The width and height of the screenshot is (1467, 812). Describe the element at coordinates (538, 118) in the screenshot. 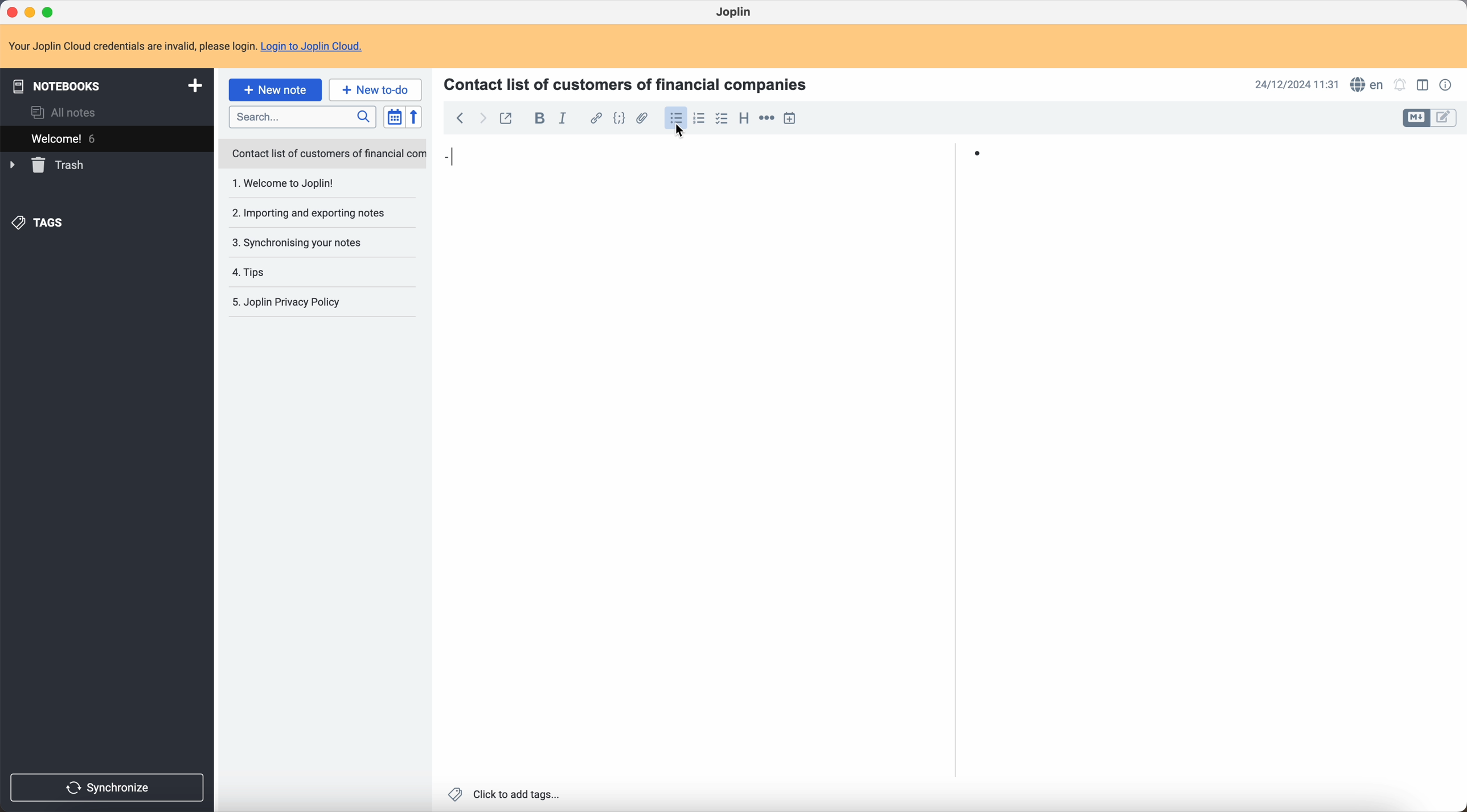

I see `bold` at that location.